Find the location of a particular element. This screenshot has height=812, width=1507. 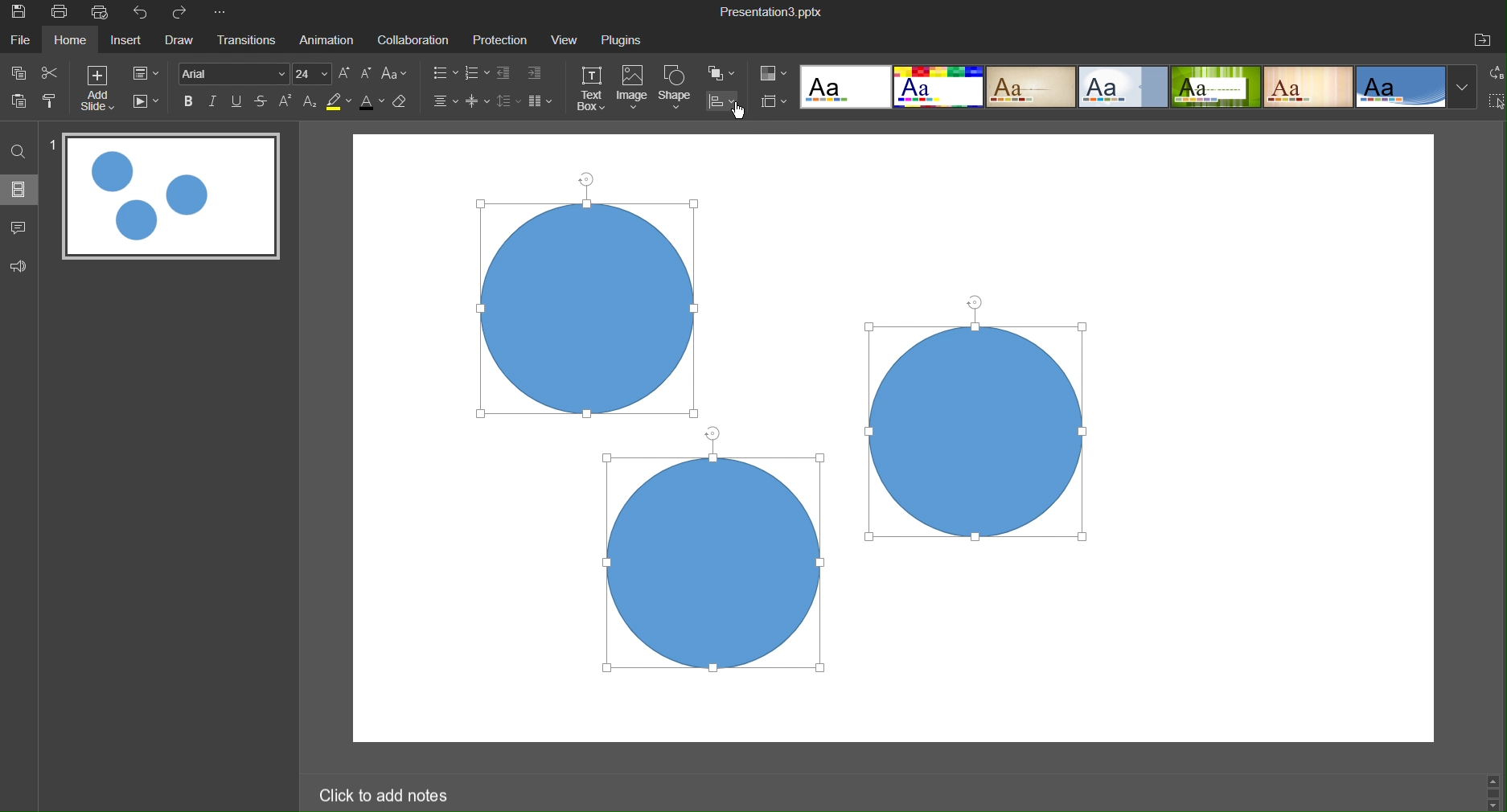

Bold is located at coordinates (190, 101).